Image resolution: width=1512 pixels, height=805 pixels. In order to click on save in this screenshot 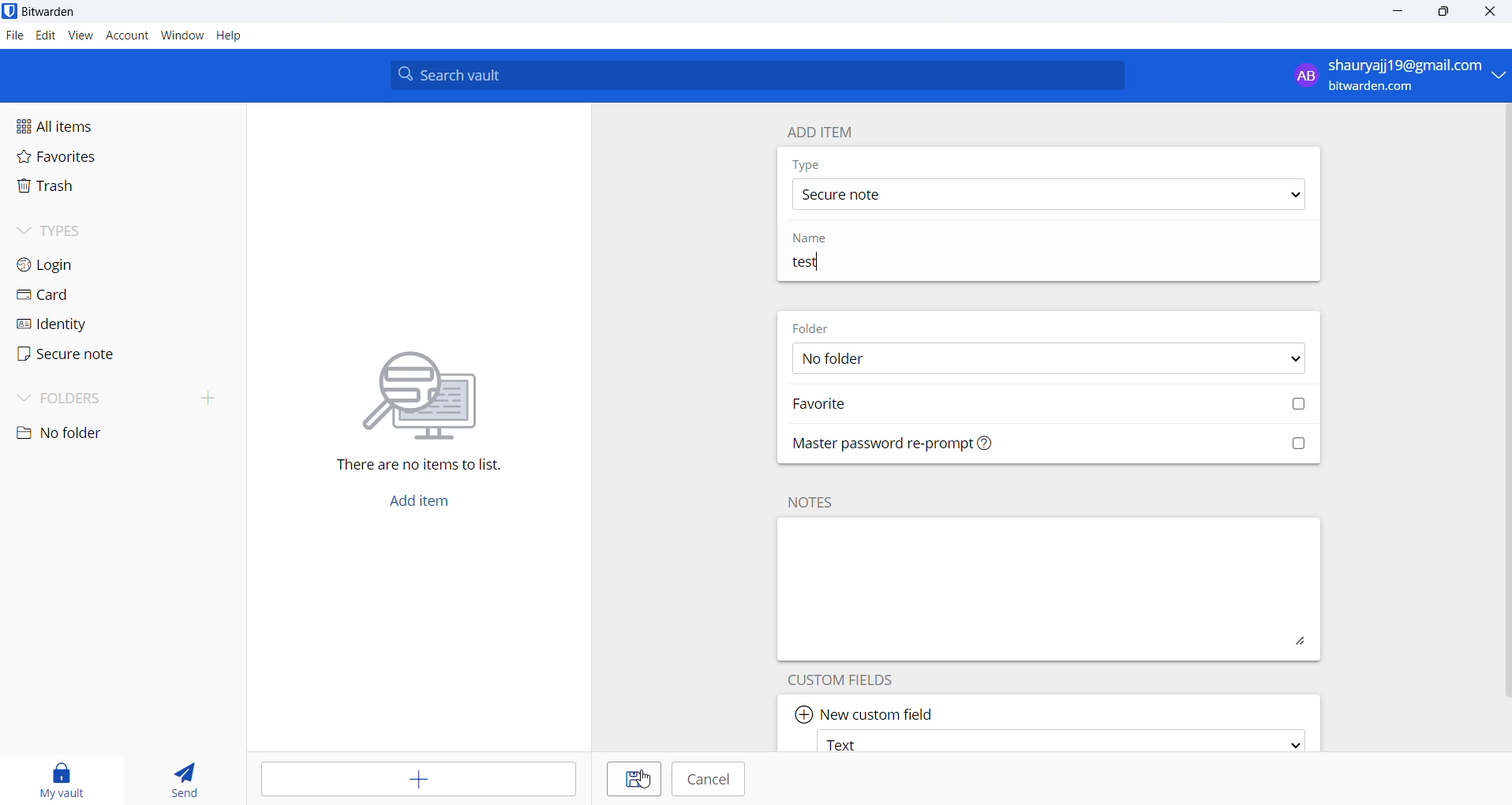, I will do `click(644, 780)`.